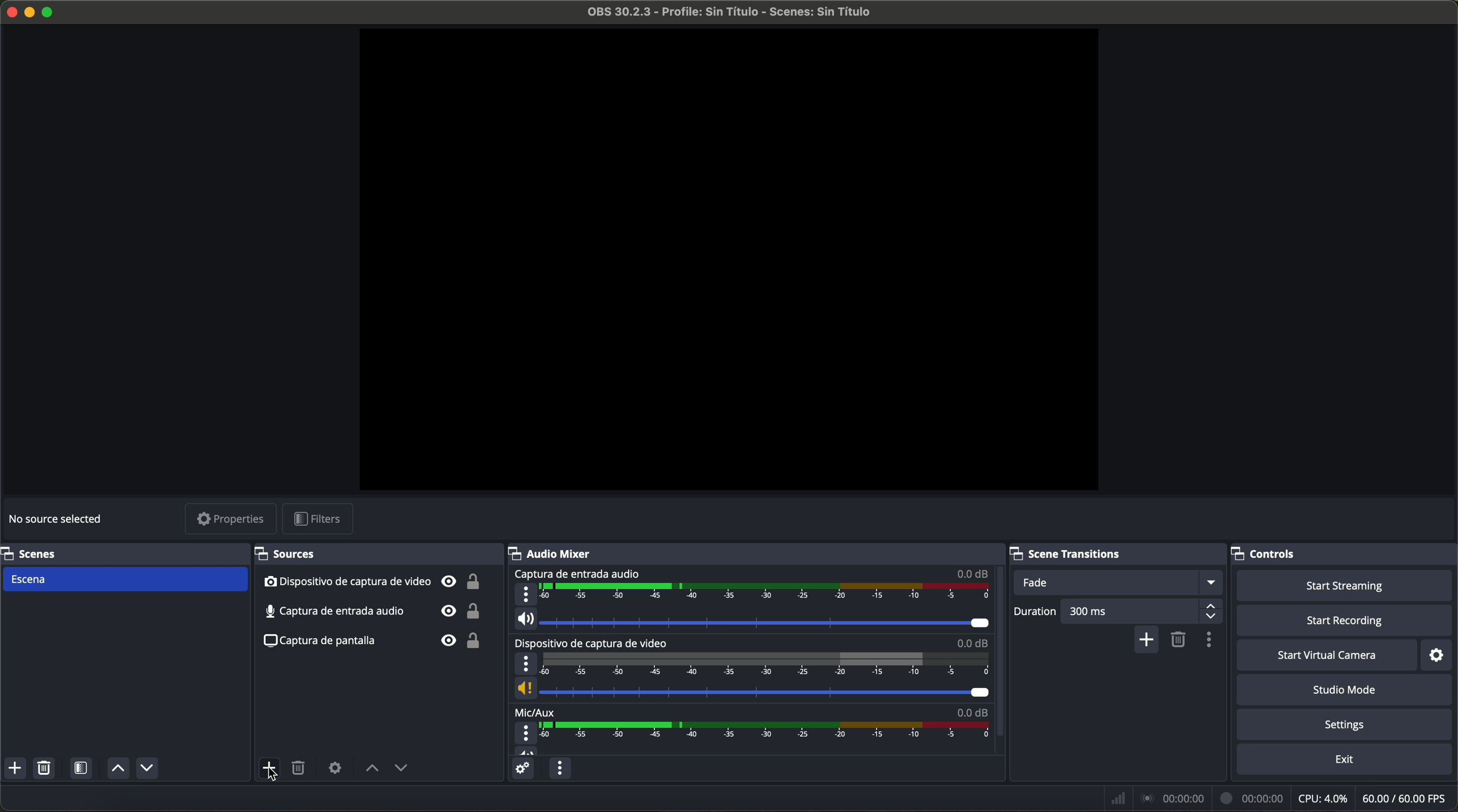  I want to click on more options, so click(527, 733).